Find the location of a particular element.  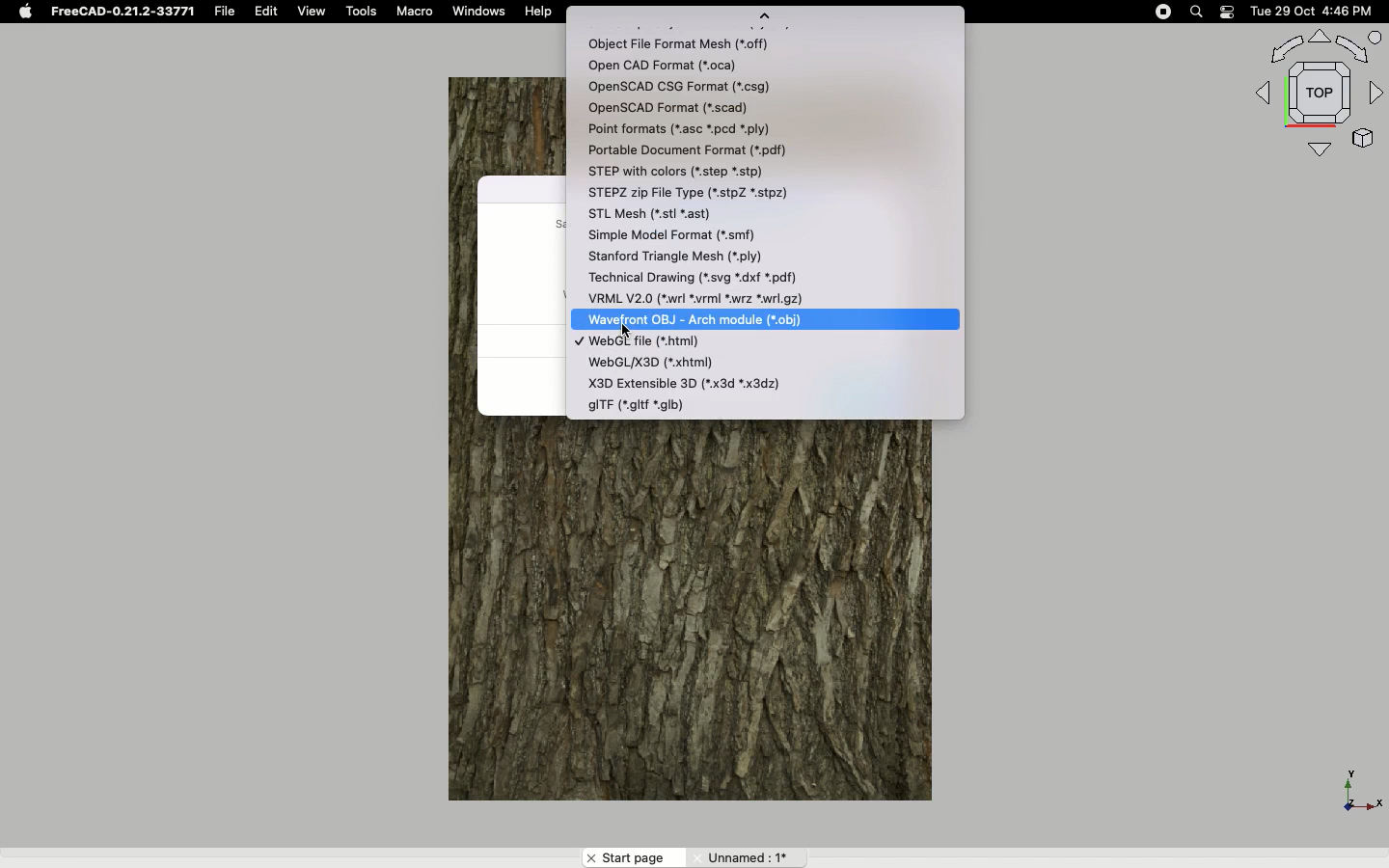

WebGL/X3D(*.xhtml) is located at coordinates (690, 363).